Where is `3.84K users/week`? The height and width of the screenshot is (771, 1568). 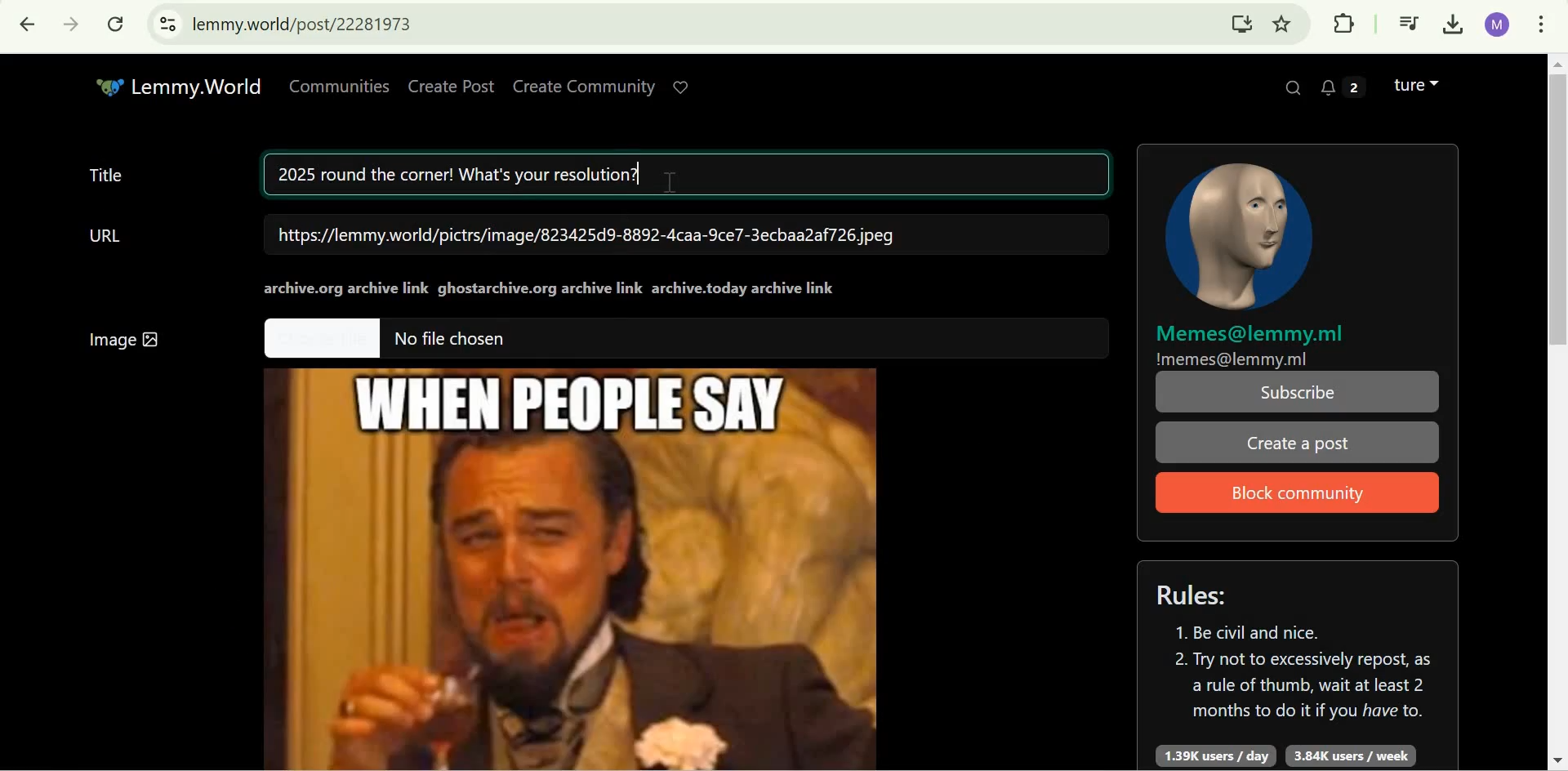 3.84K users/week is located at coordinates (1349, 756).